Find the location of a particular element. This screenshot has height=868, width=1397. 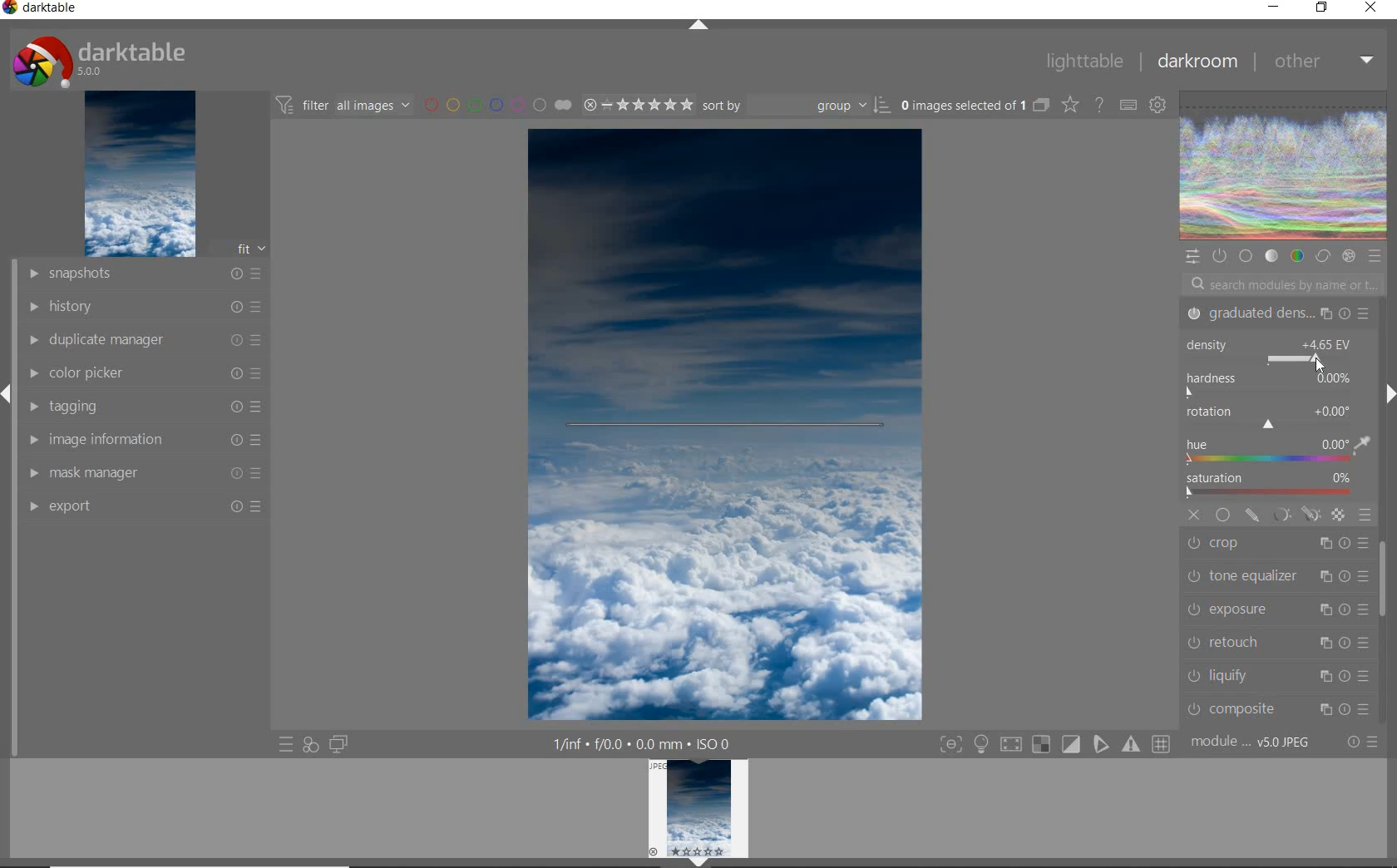

TOGGLE MODES is located at coordinates (1054, 747).